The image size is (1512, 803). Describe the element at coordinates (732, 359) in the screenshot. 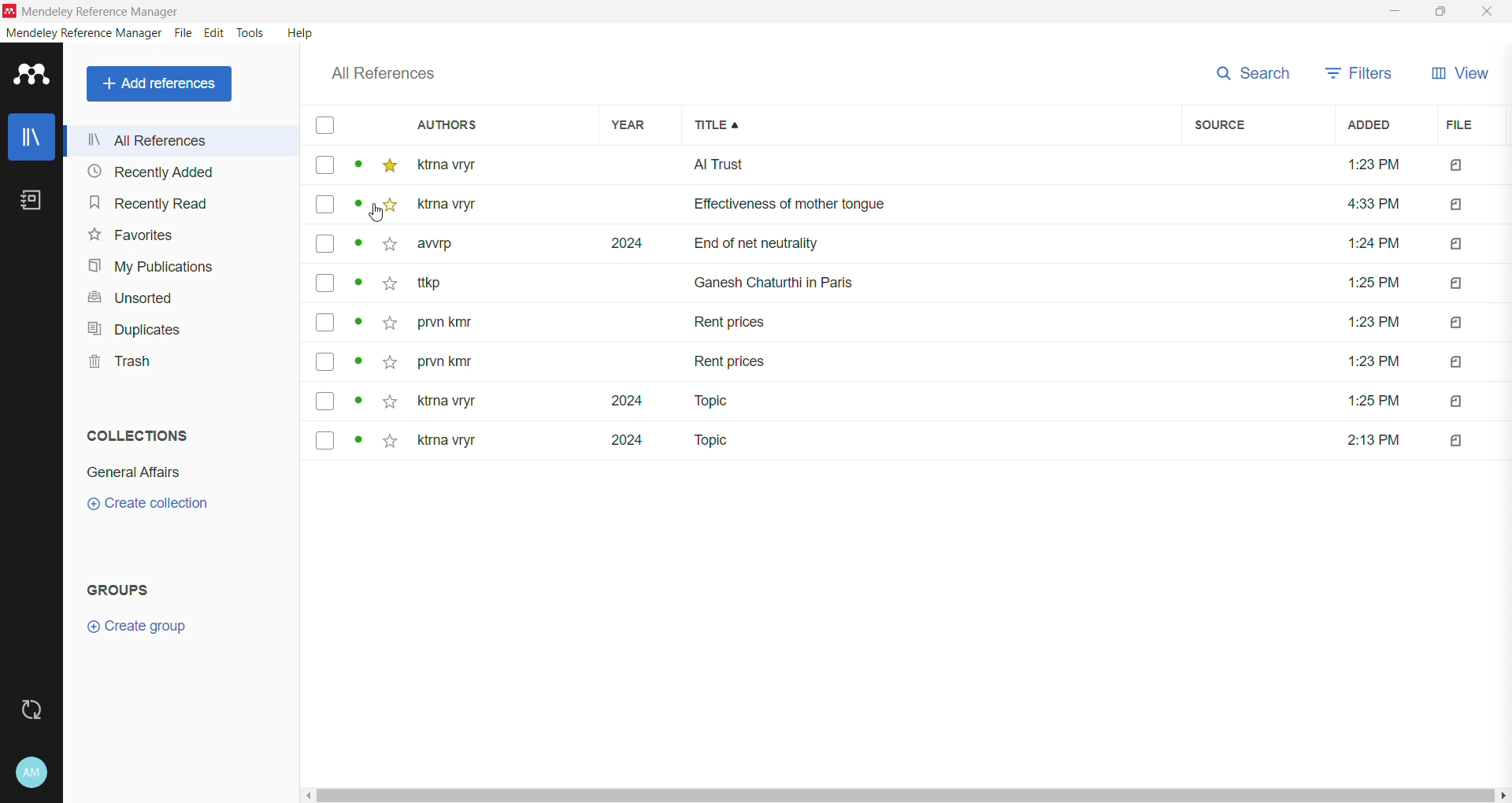

I see `rent prices ` at that location.